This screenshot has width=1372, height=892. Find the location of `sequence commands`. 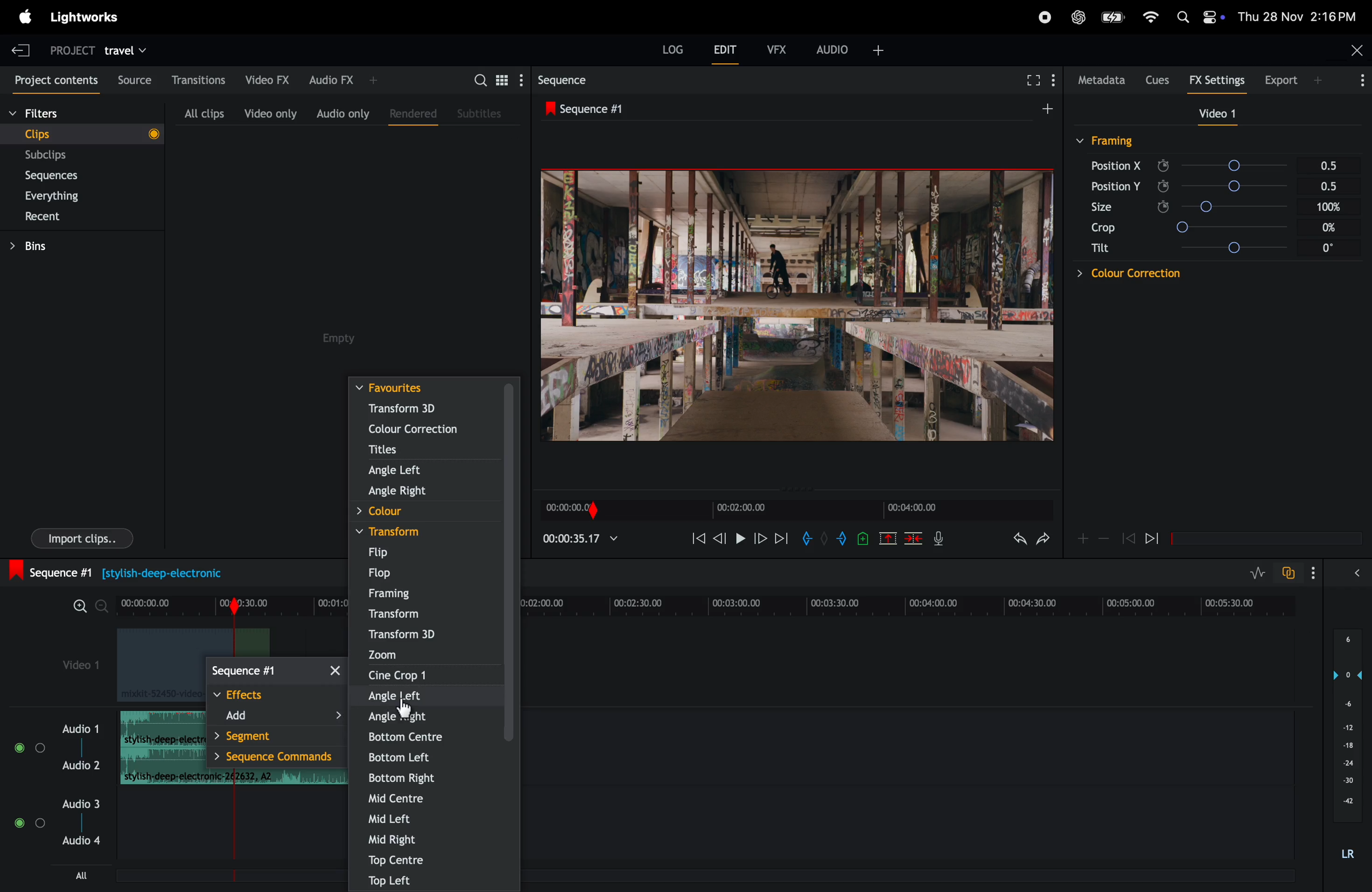

sequence commands is located at coordinates (276, 759).